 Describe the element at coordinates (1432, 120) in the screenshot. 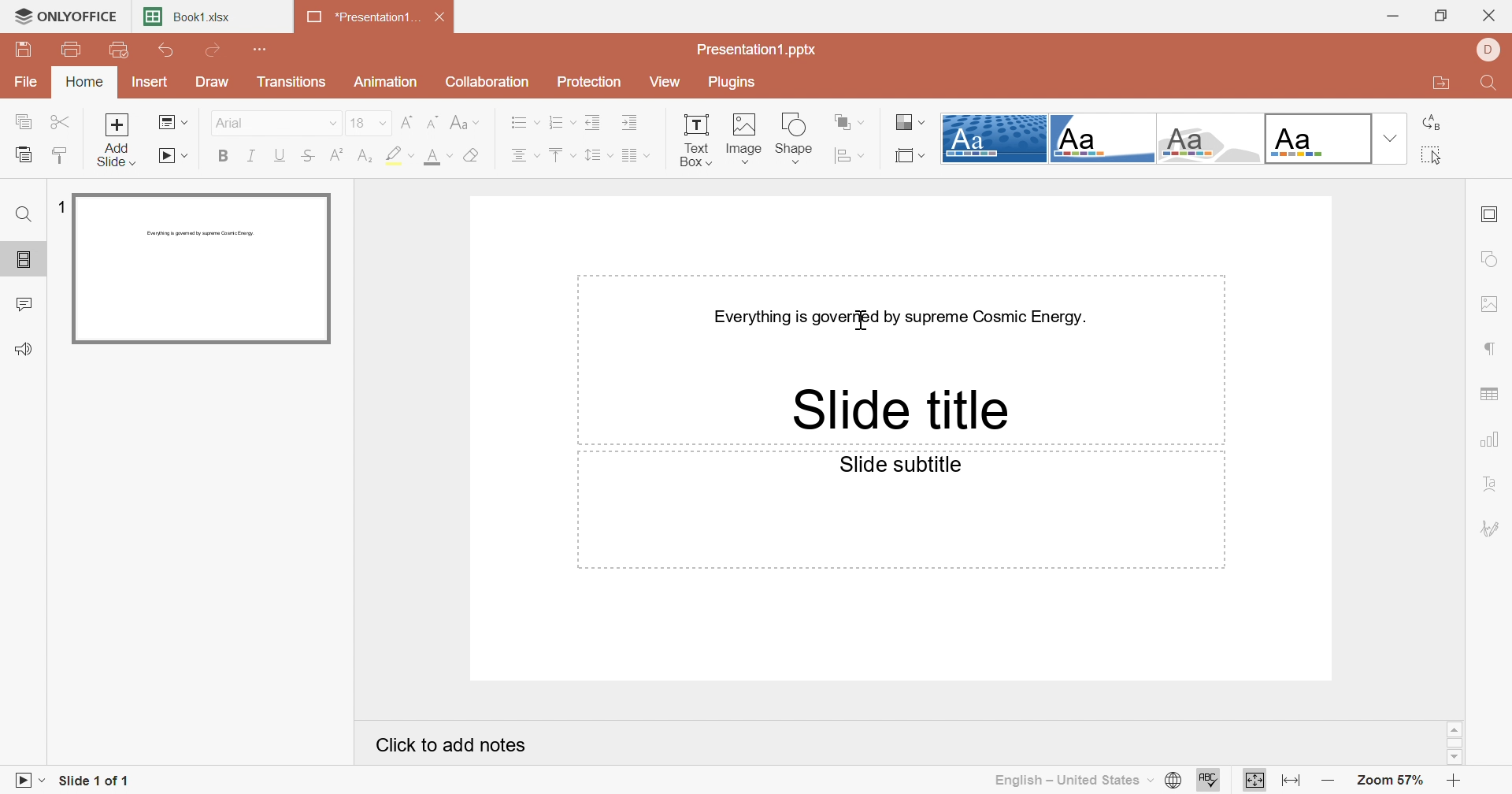

I see `Replace` at that location.